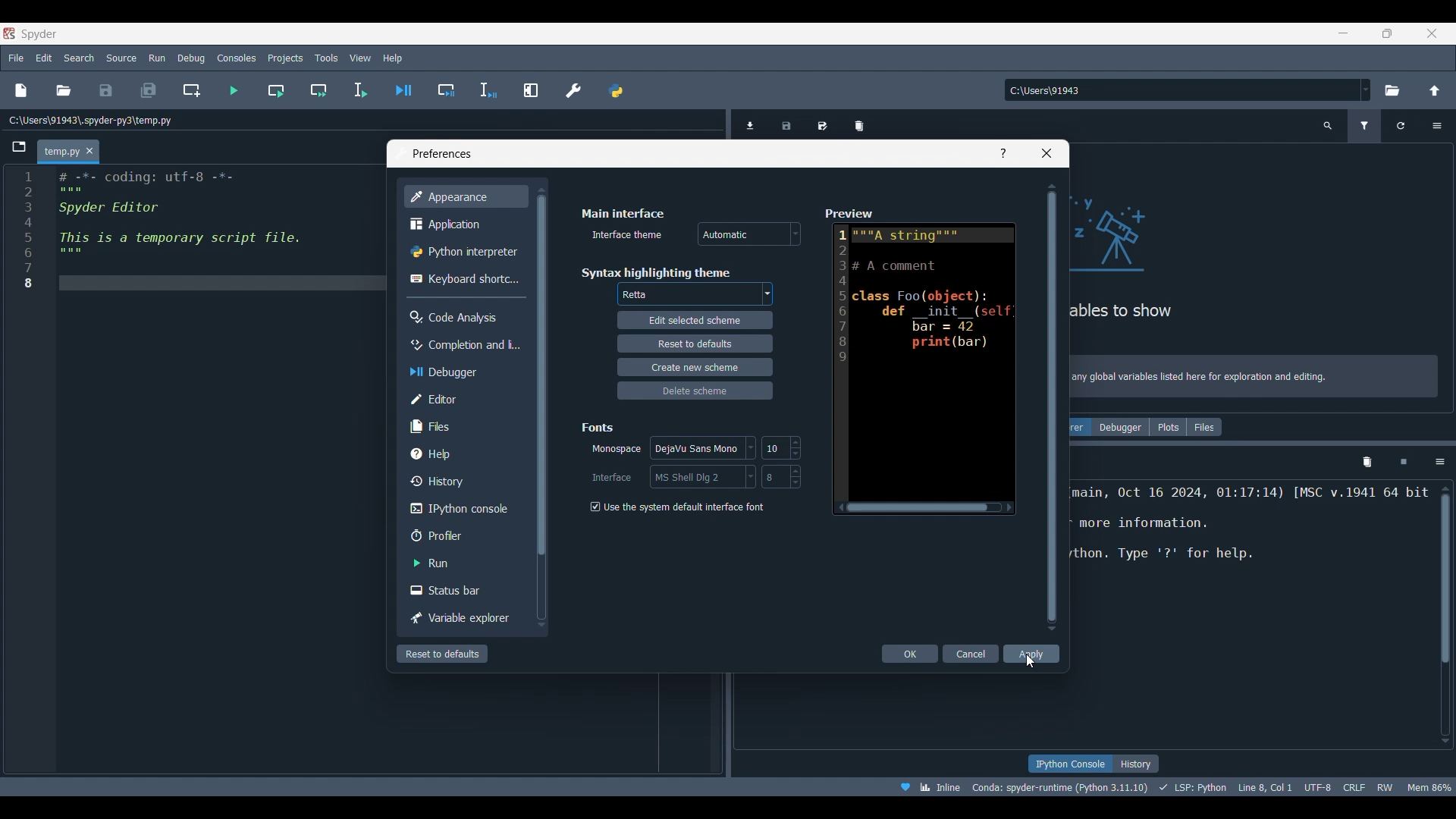 Image resolution: width=1456 pixels, height=819 pixels. What do you see at coordinates (1386, 786) in the screenshot?
I see `rw` at bounding box center [1386, 786].